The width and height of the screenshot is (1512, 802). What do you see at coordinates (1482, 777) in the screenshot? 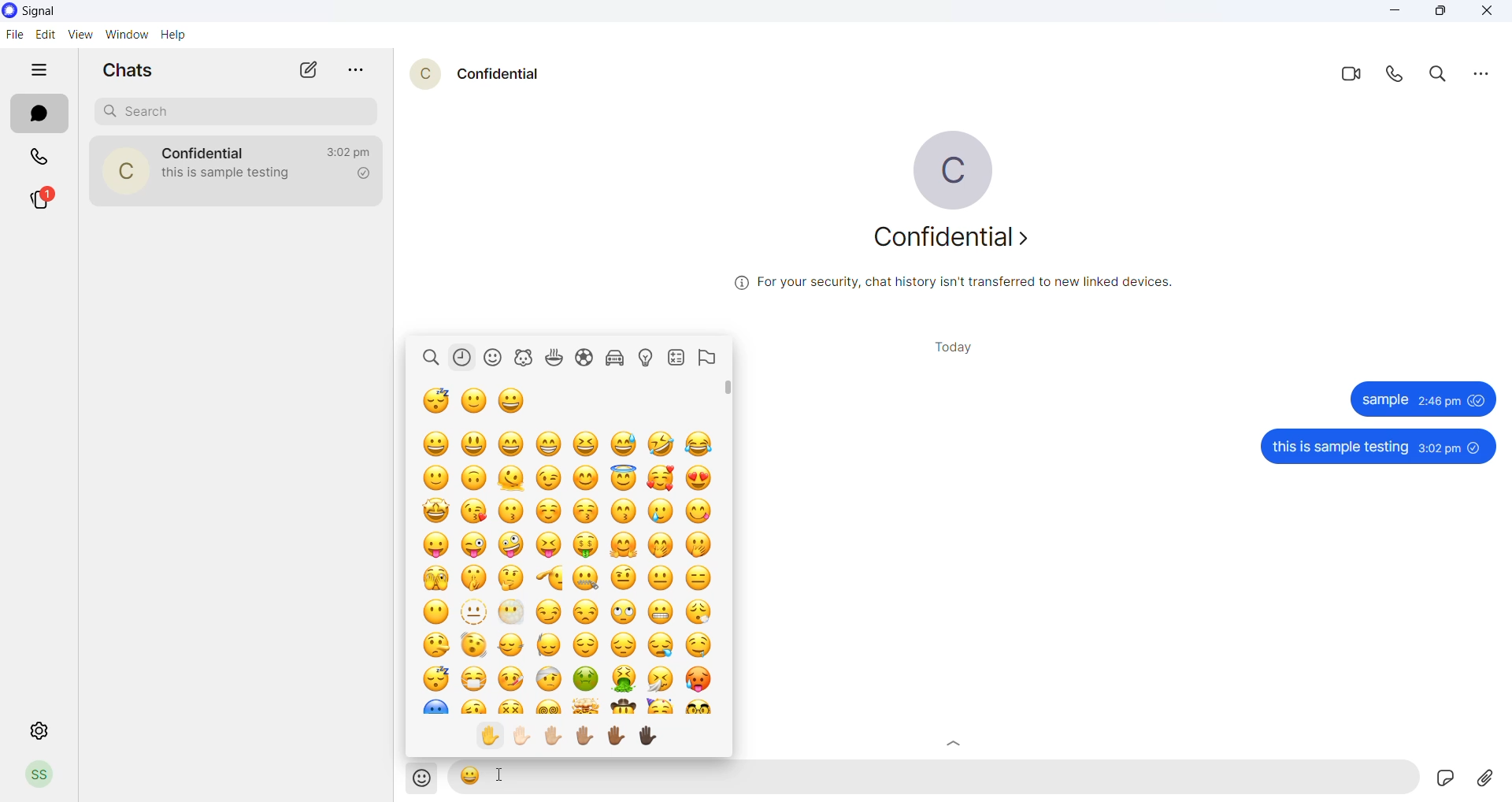
I see `share attachments` at bounding box center [1482, 777].